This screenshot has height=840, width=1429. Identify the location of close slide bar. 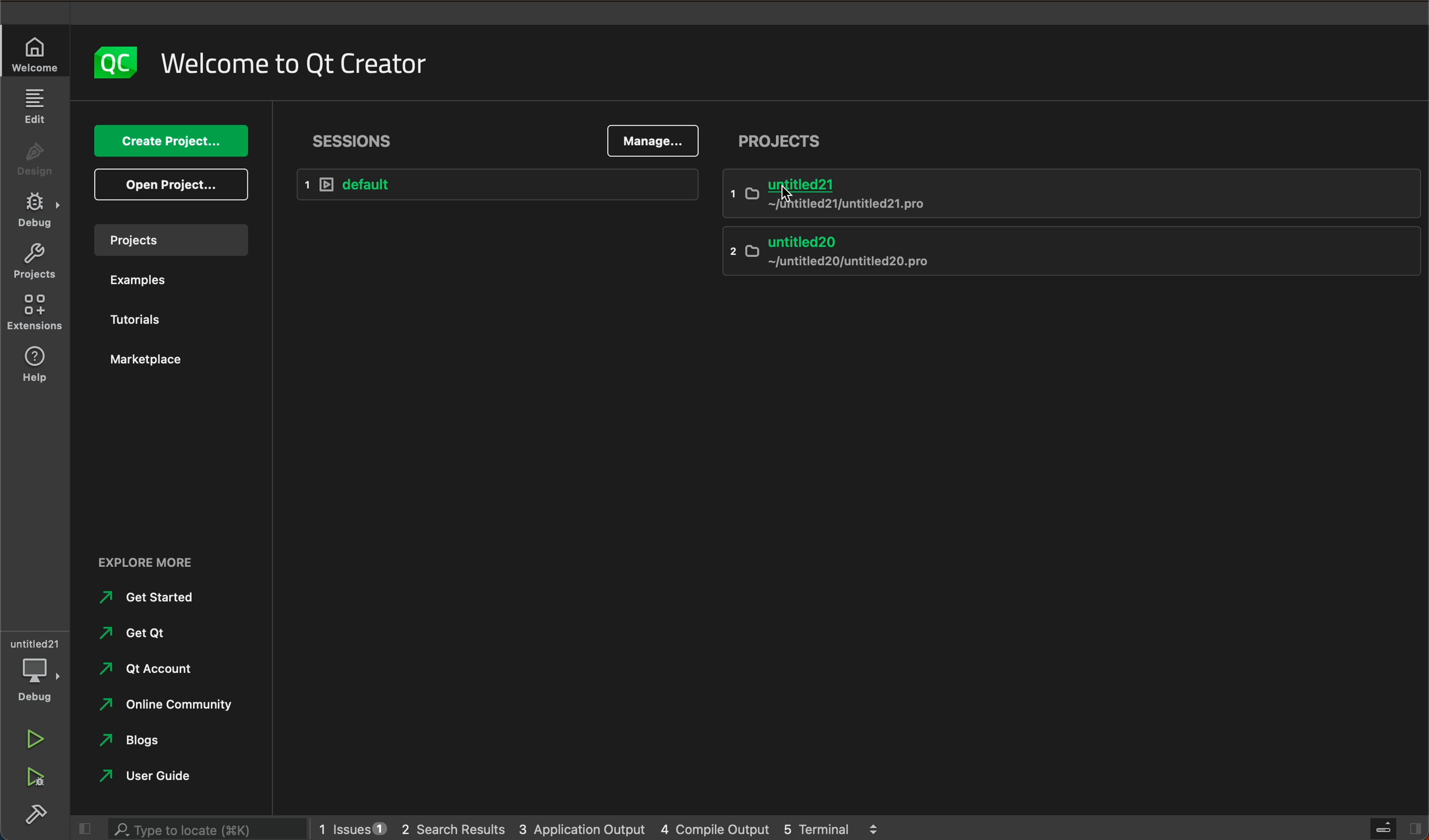
(1381, 829).